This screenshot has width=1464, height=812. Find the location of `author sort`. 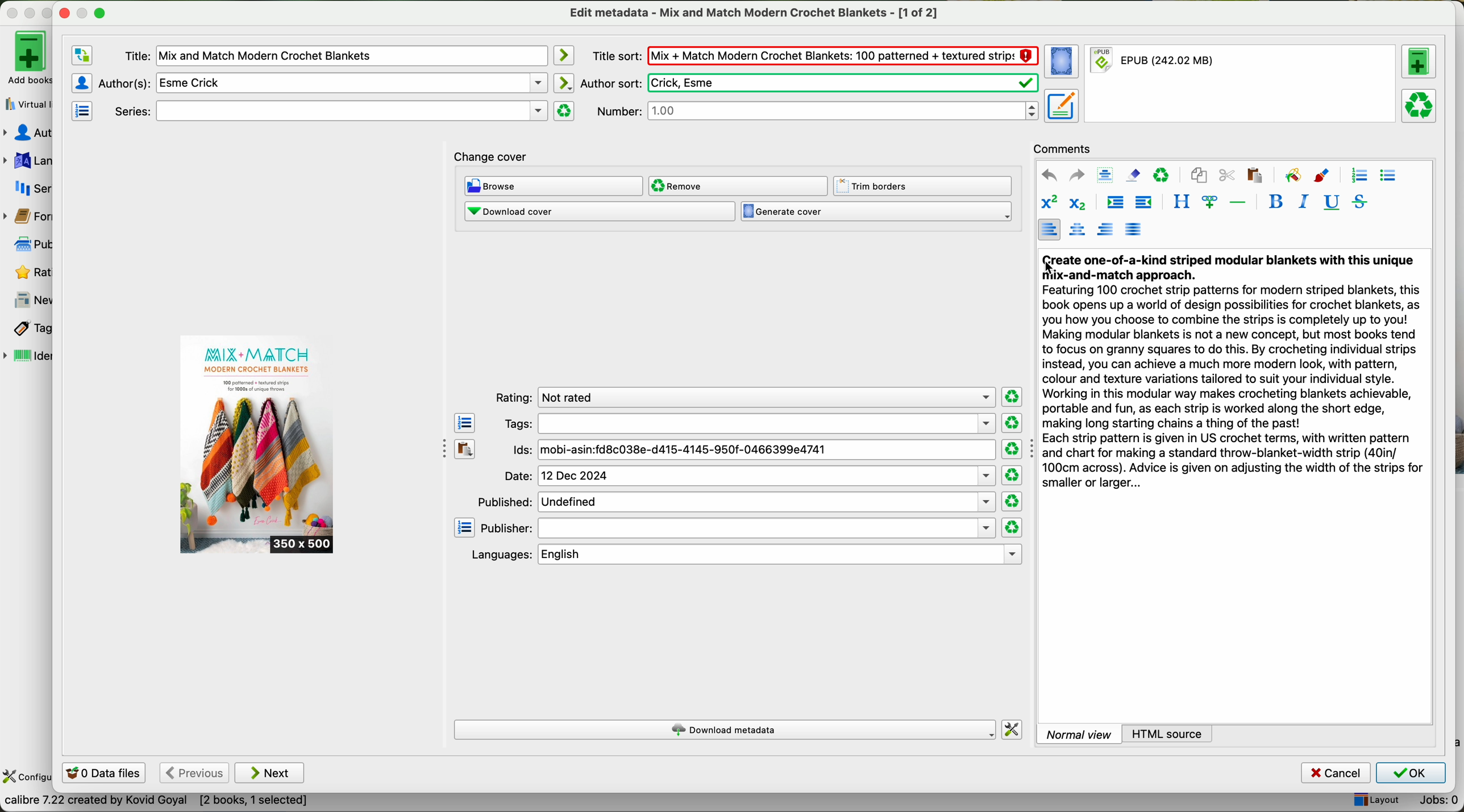

author sort is located at coordinates (808, 83).